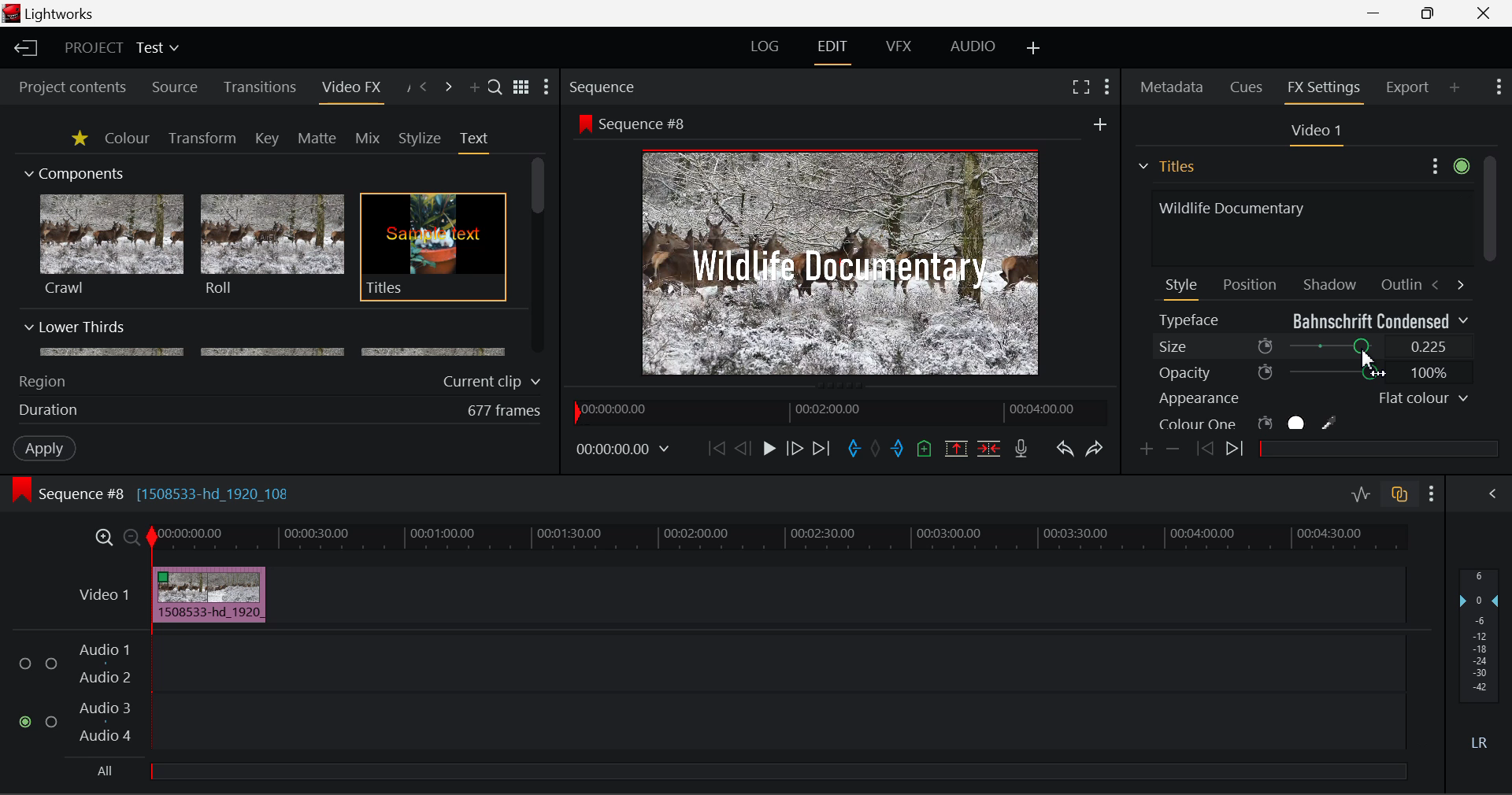 The image size is (1512, 795). Describe the element at coordinates (779, 538) in the screenshot. I see `Project Timeline` at that location.